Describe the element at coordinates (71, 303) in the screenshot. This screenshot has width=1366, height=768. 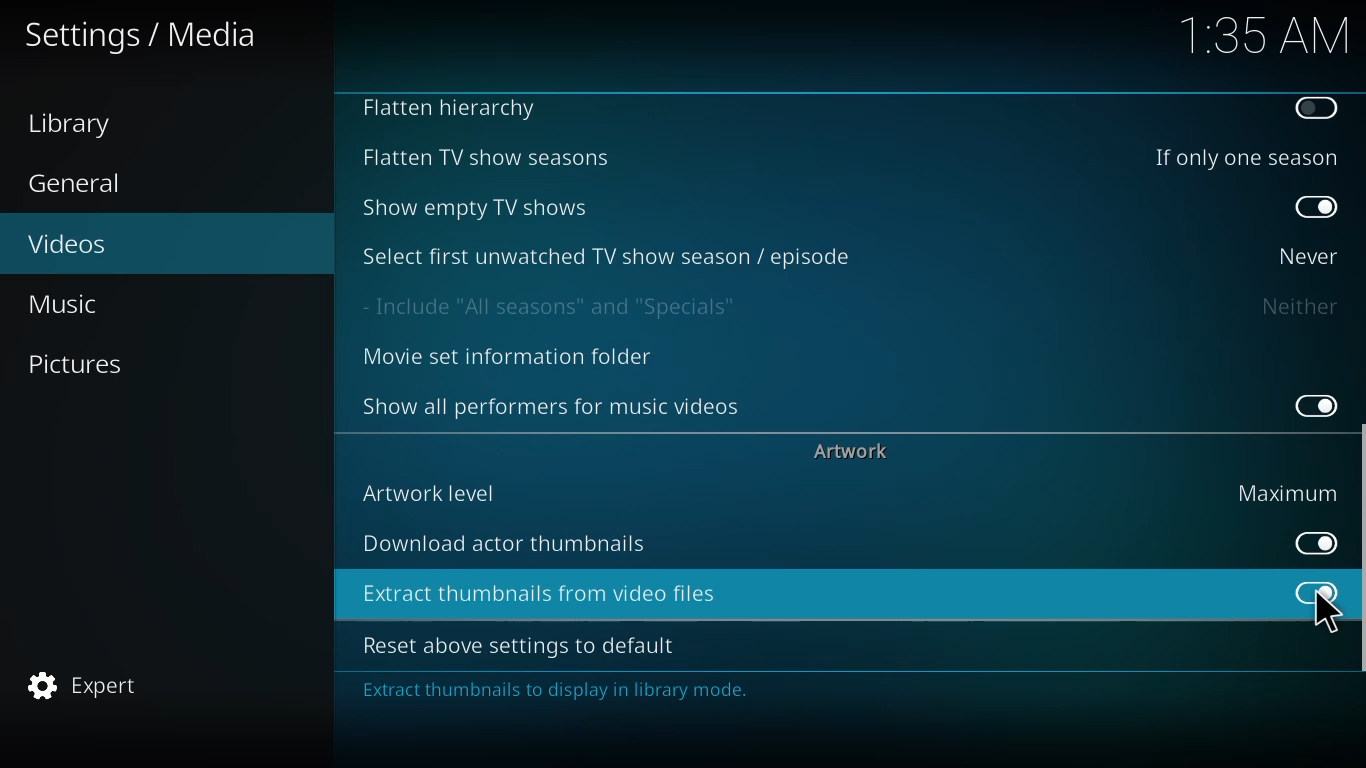
I see `music` at that location.